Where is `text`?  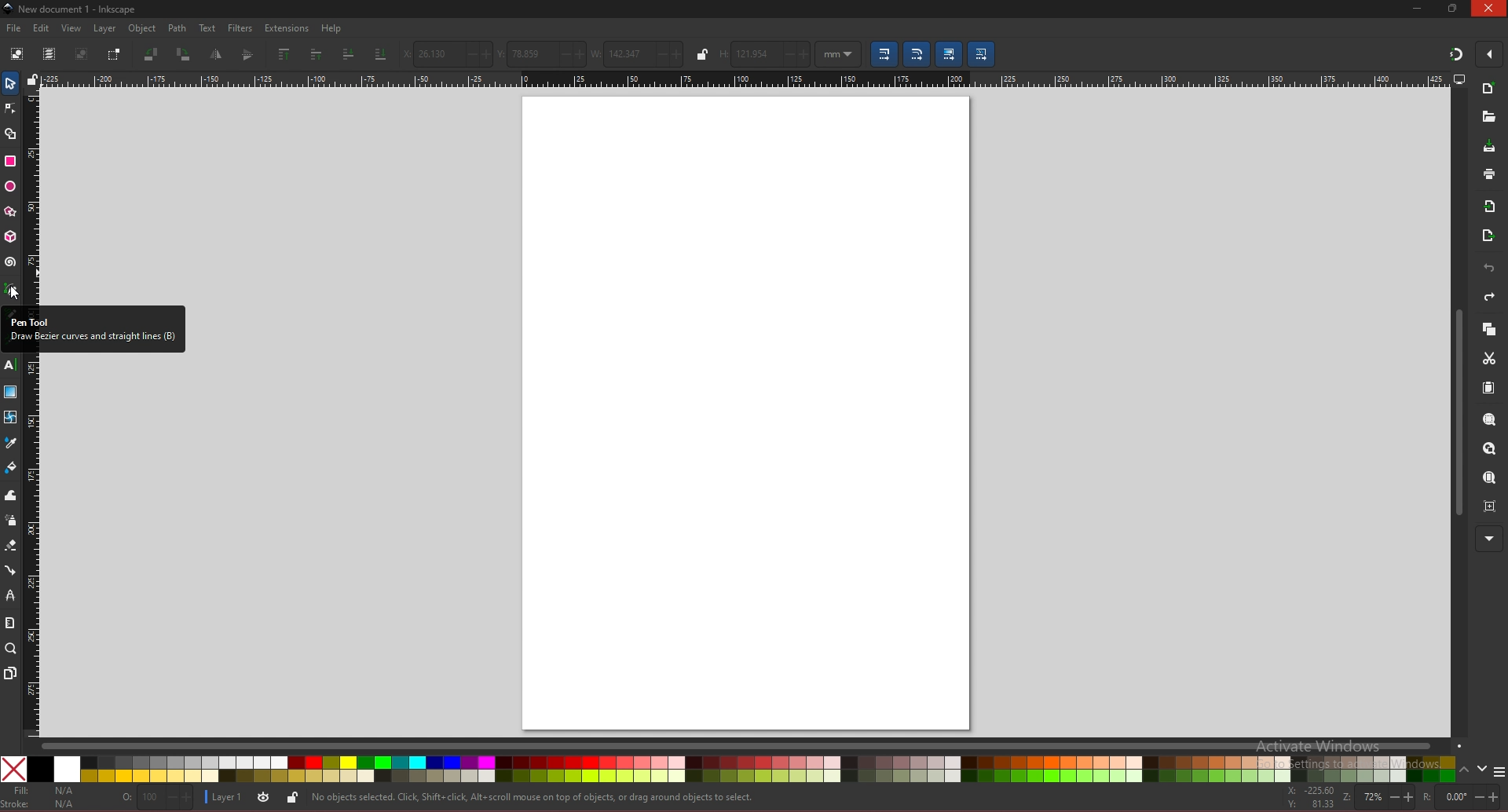 text is located at coordinates (207, 28).